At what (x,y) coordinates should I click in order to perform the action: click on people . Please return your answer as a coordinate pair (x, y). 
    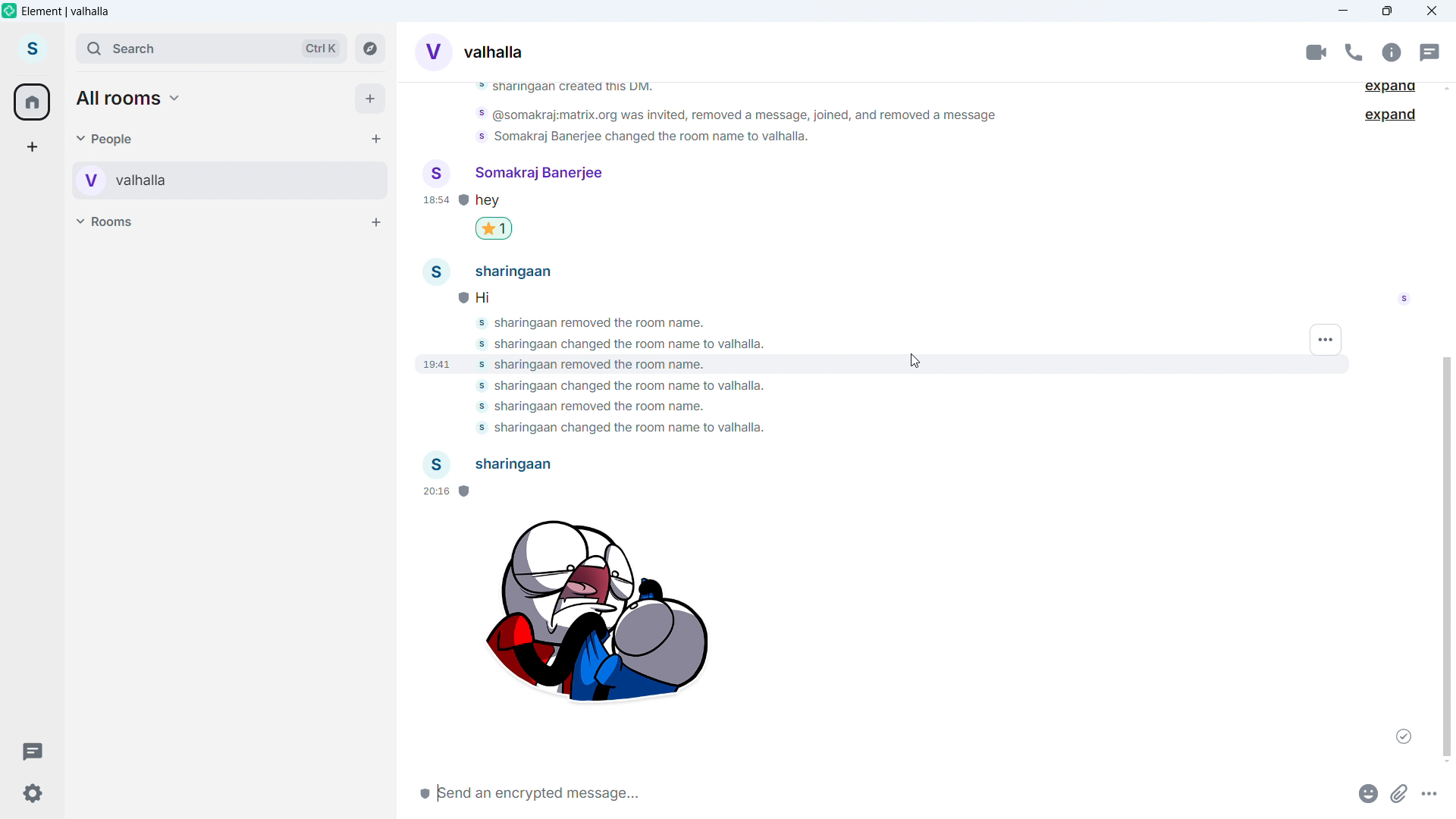
    Looking at the image, I should click on (106, 138).